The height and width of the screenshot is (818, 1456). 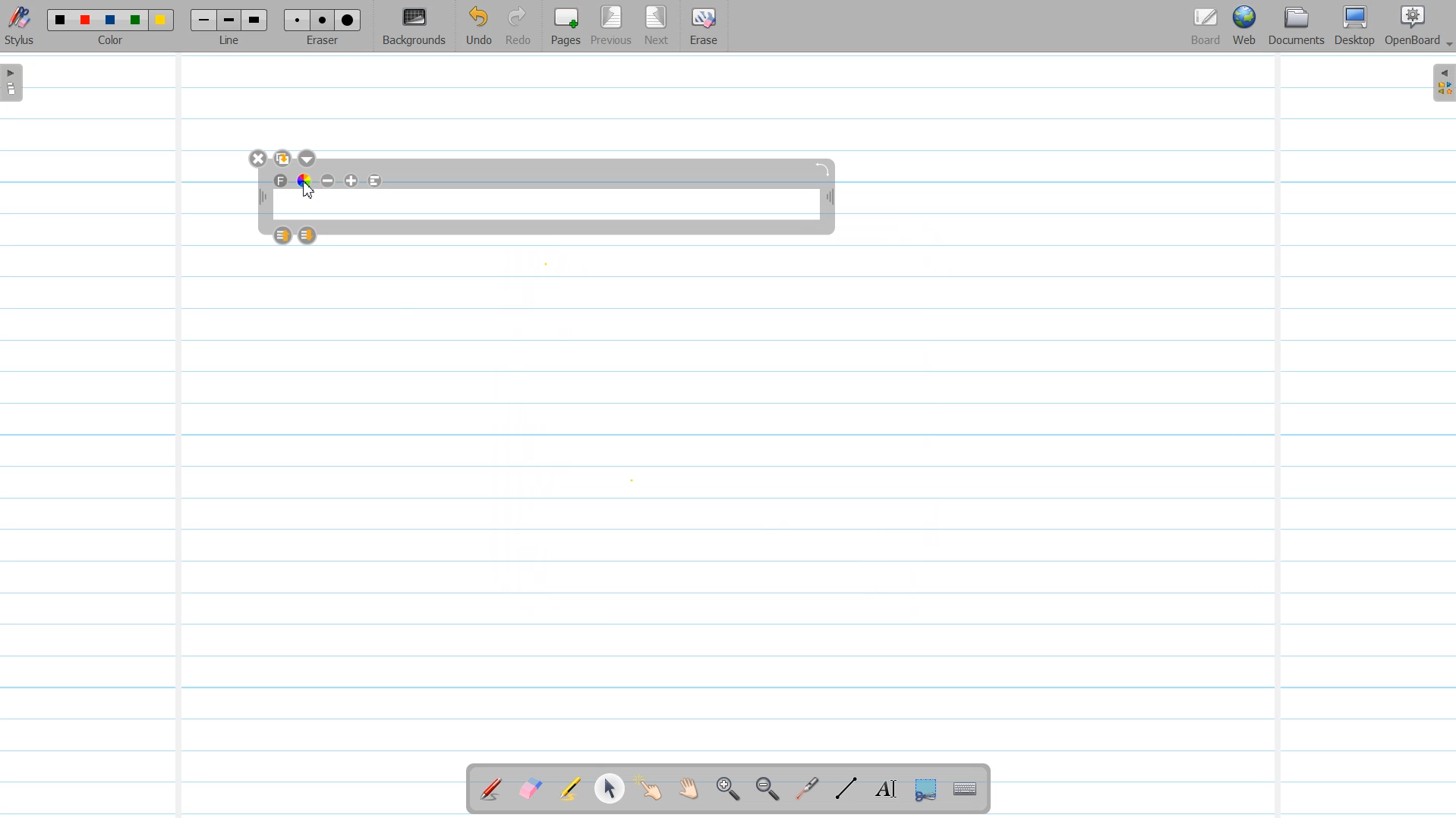 What do you see at coordinates (352, 181) in the screenshot?
I see `Maximize Text` at bounding box center [352, 181].